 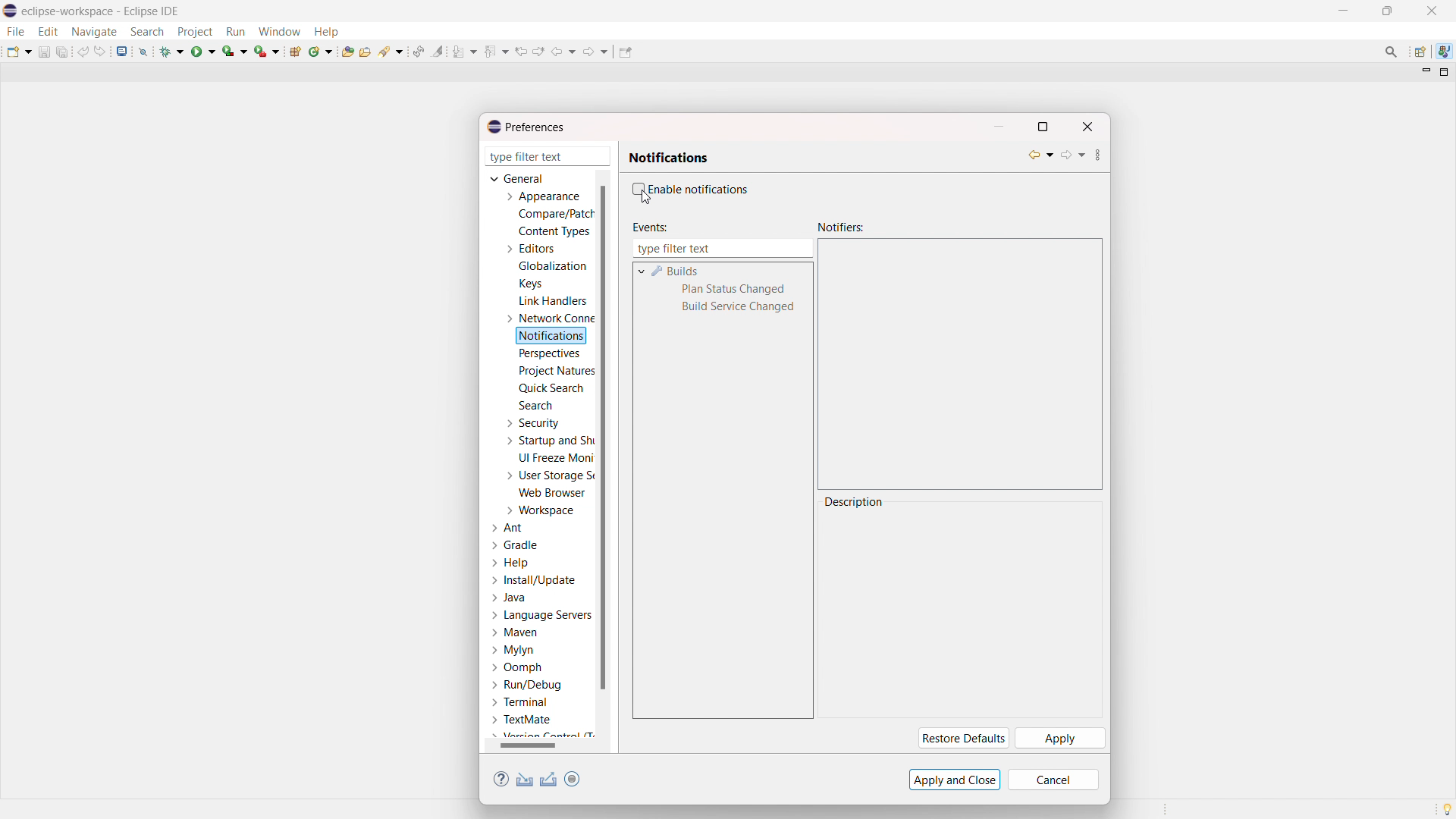 I want to click on enable notifications, so click(x=700, y=188).